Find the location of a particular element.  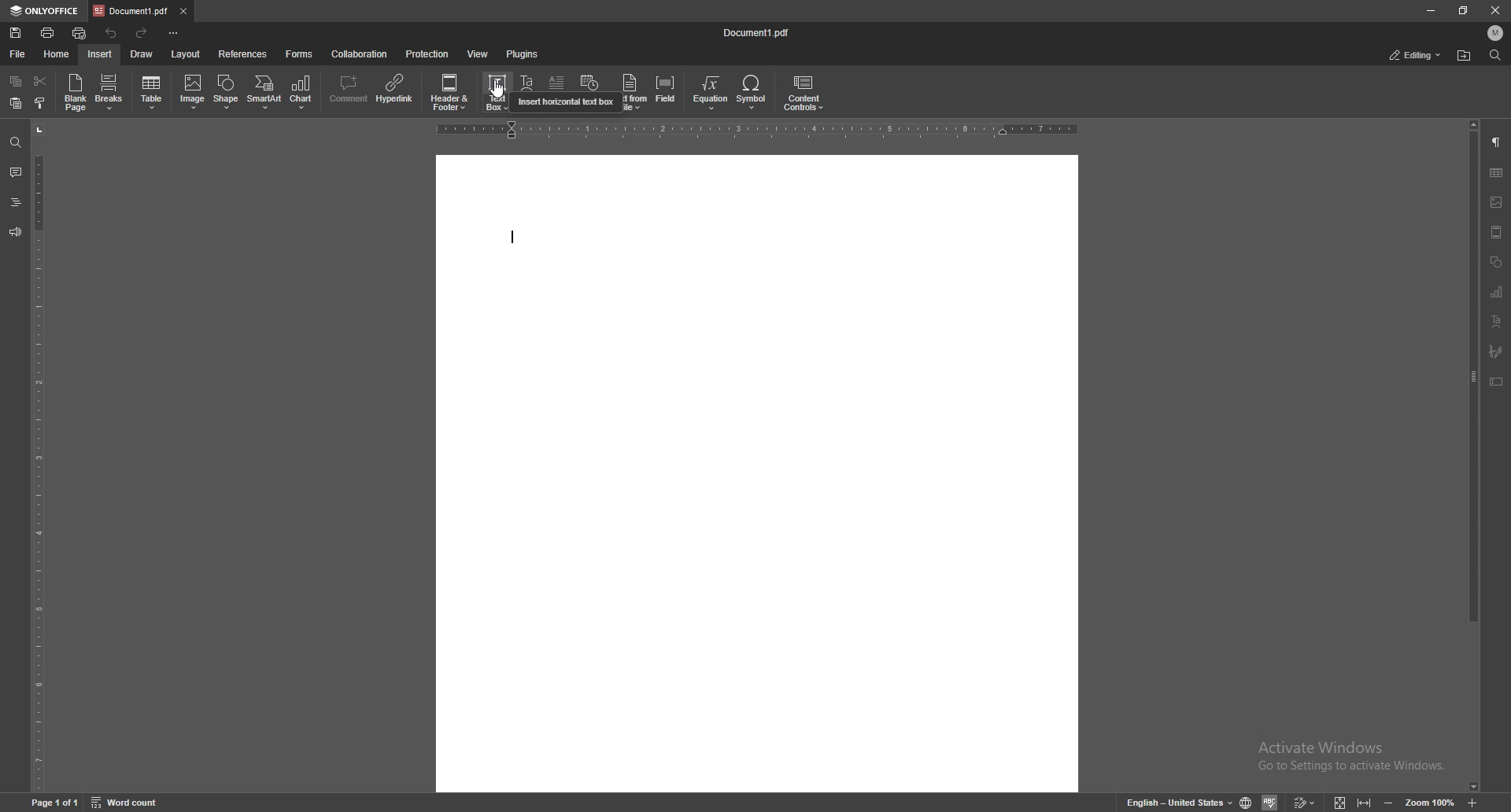

headings is located at coordinates (15, 202).